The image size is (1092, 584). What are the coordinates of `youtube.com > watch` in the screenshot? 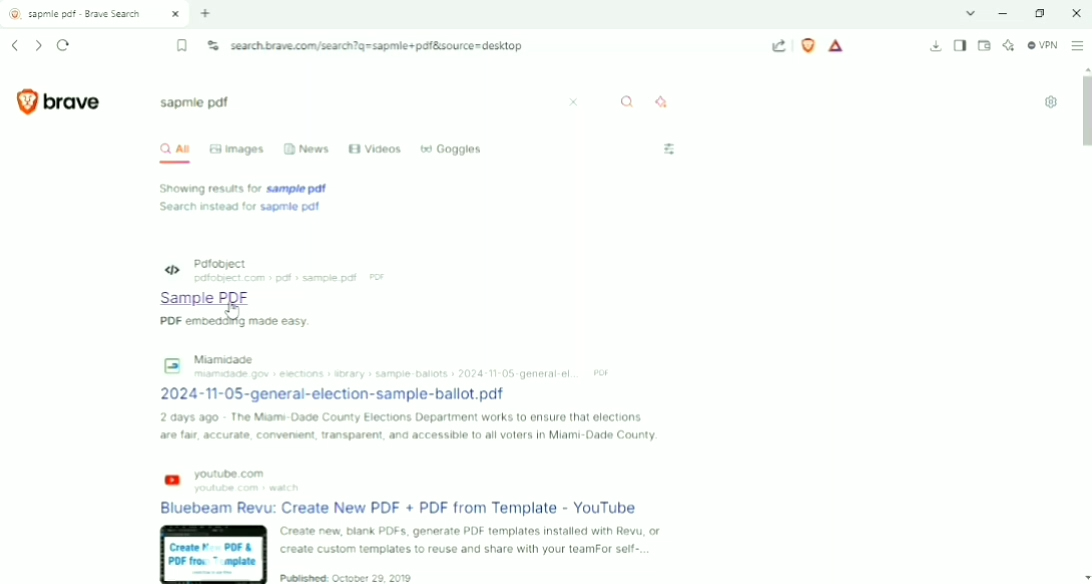 It's located at (250, 488).